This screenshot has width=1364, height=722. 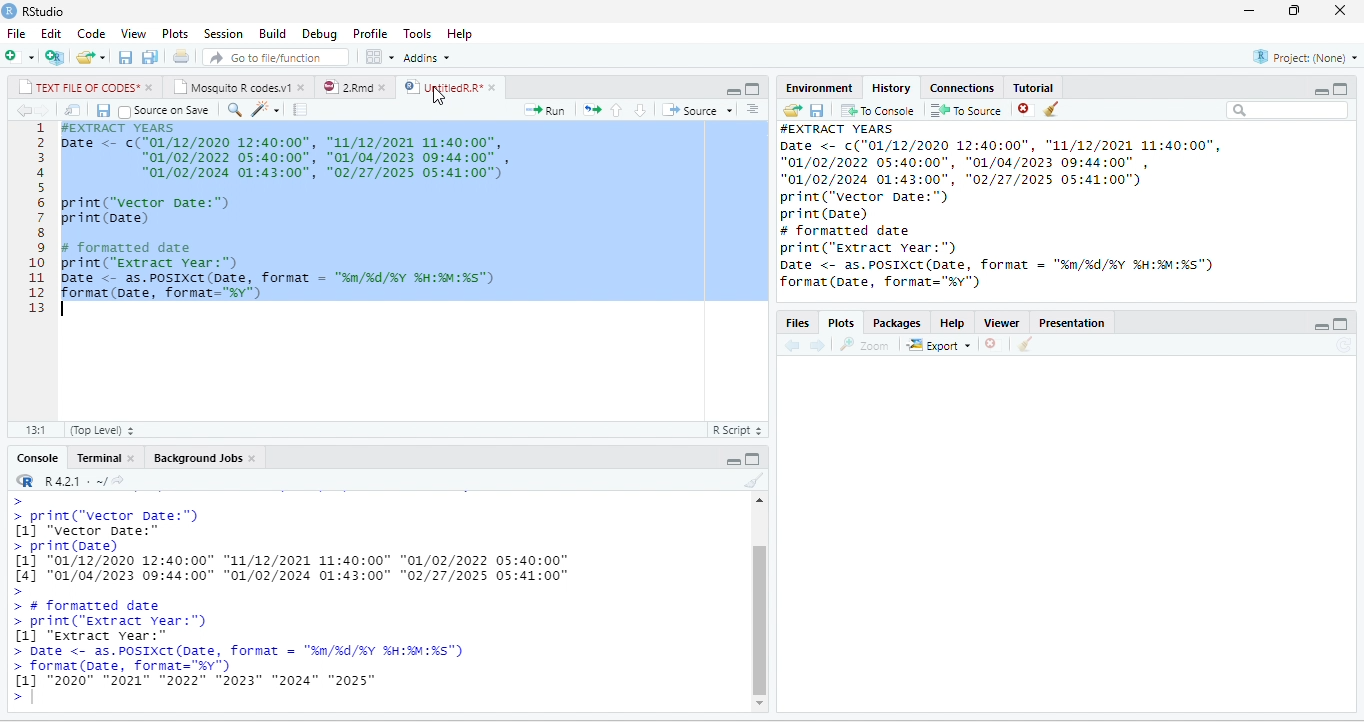 I want to click on line numbering, so click(x=36, y=218).